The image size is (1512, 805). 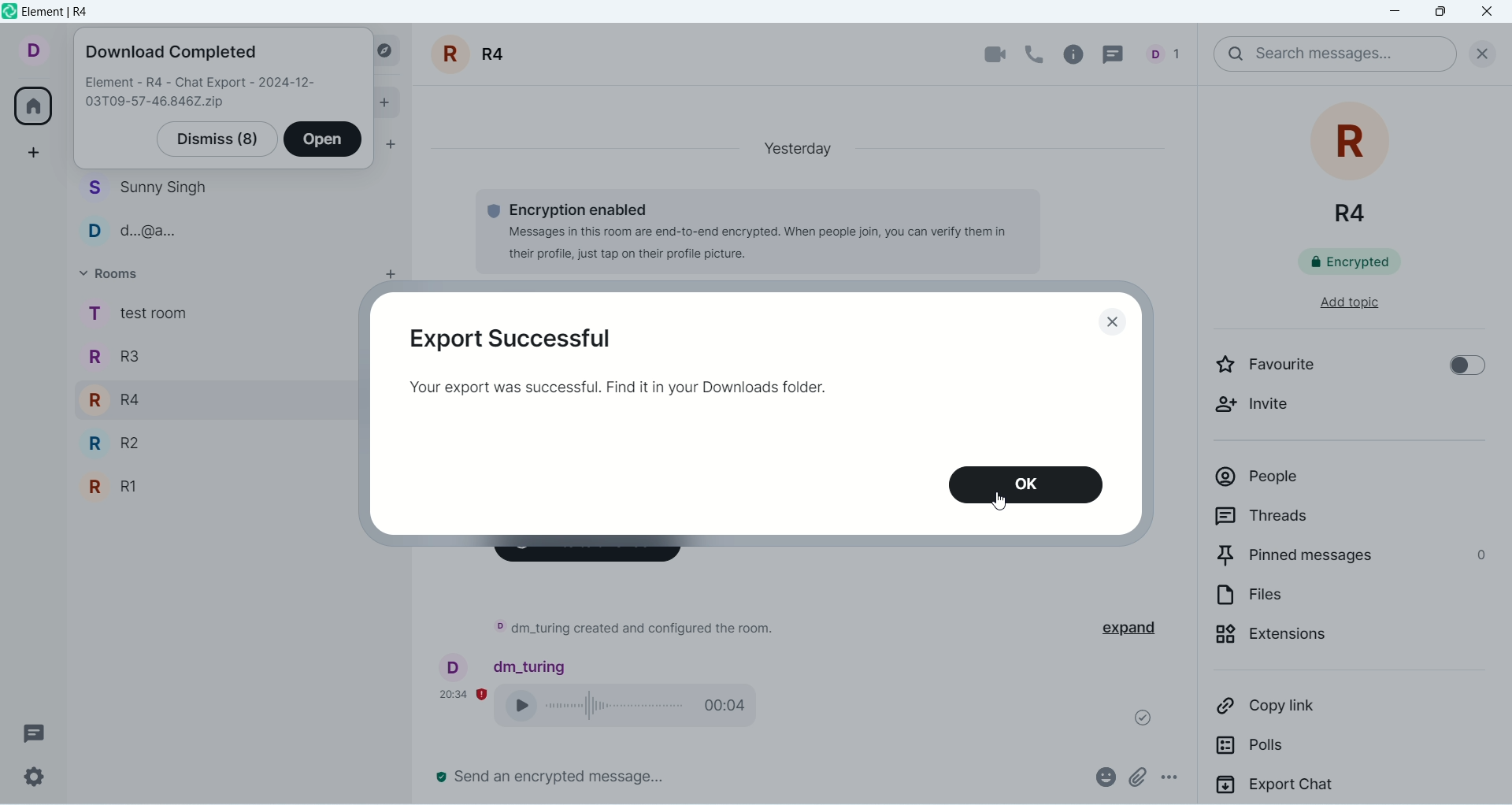 What do you see at coordinates (1489, 13) in the screenshot?
I see `close` at bounding box center [1489, 13].